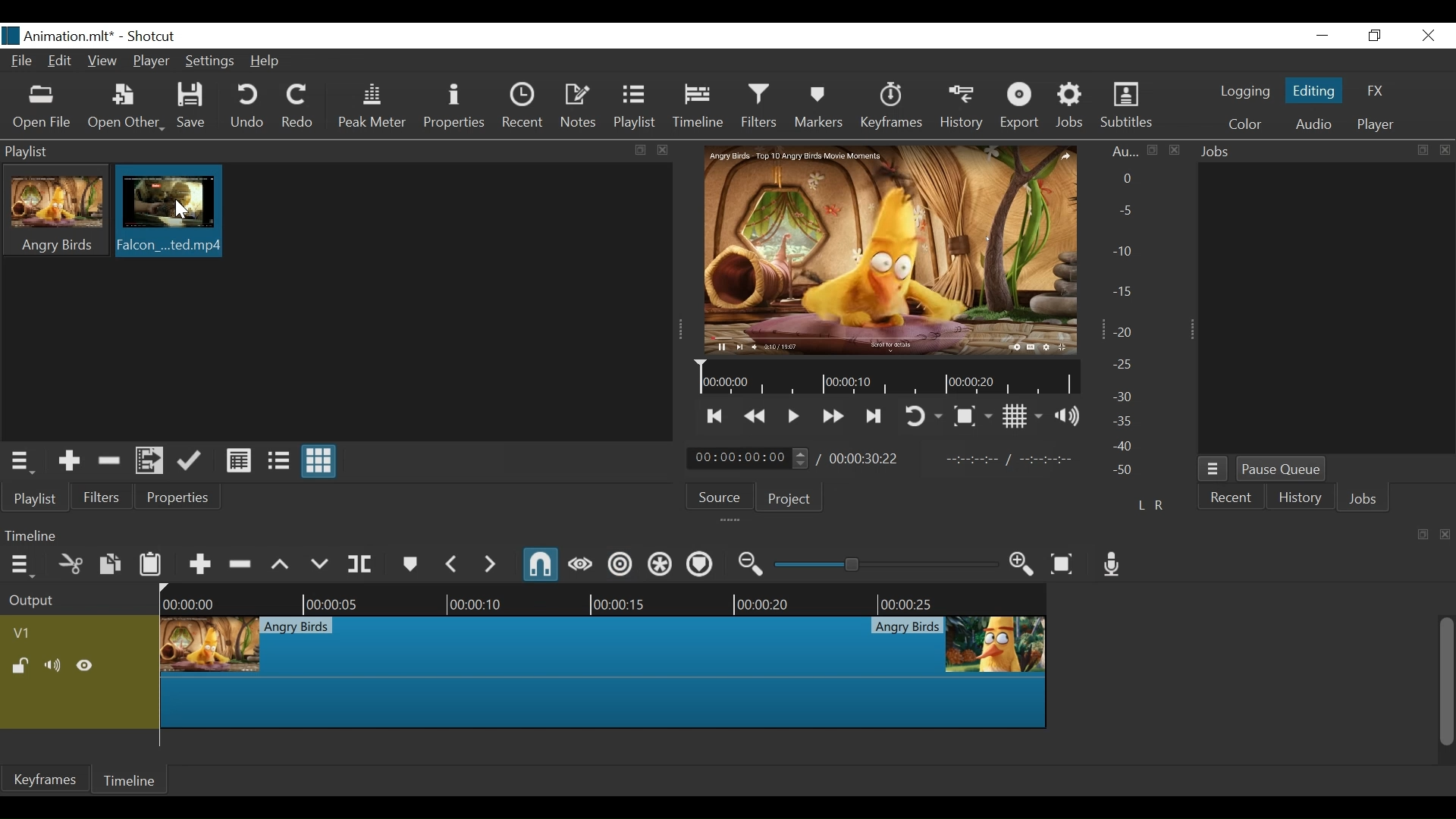 The height and width of the screenshot is (819, 1456). I want to click on Update, so click(192, 461).